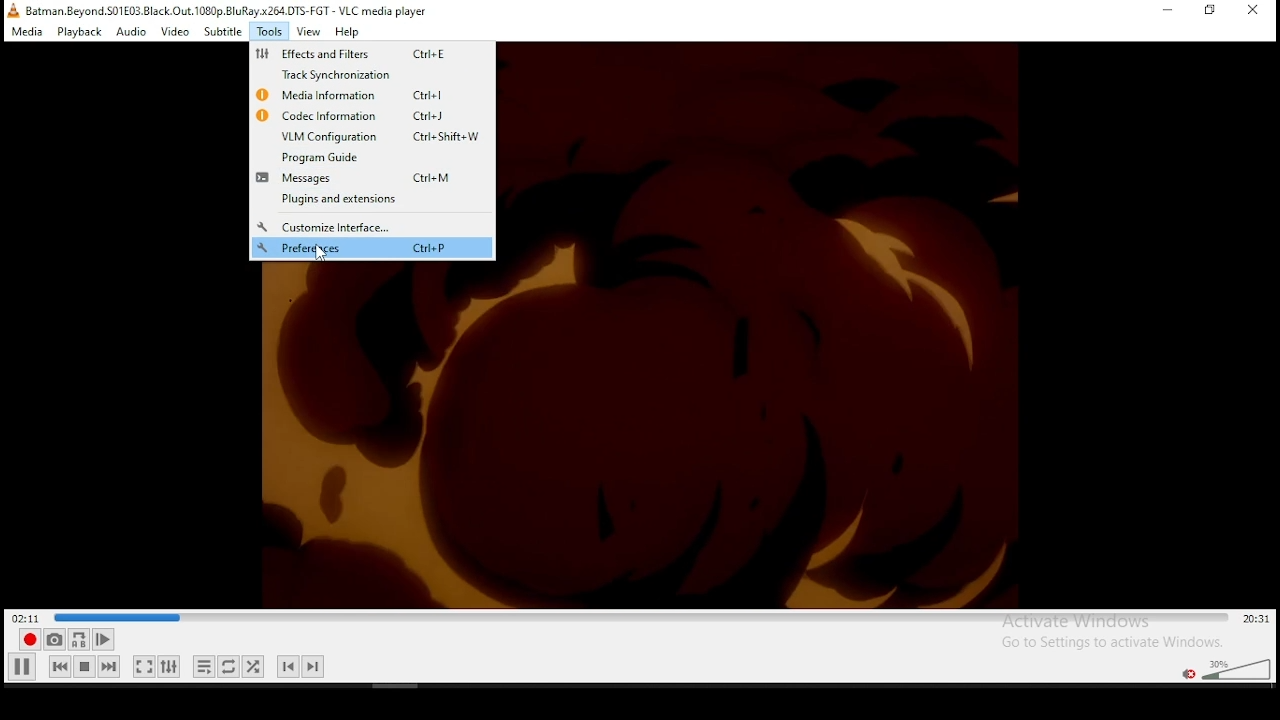 This screenshot has height=720, width=1280. I want to click on next chapter, so click(313, 667).